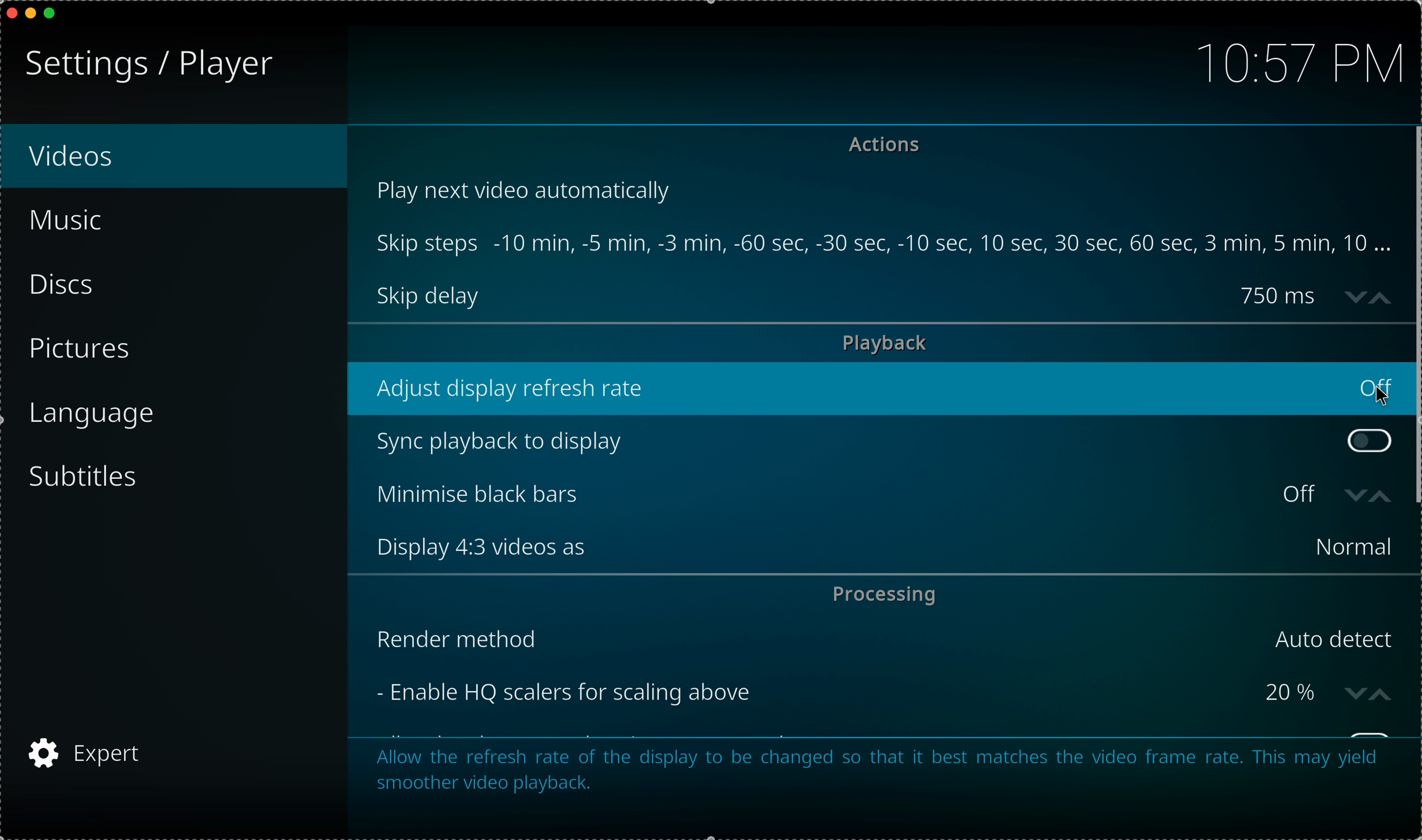  Describe the element at coordinates (94, 414) in the screenshot. I see `language` at that location.